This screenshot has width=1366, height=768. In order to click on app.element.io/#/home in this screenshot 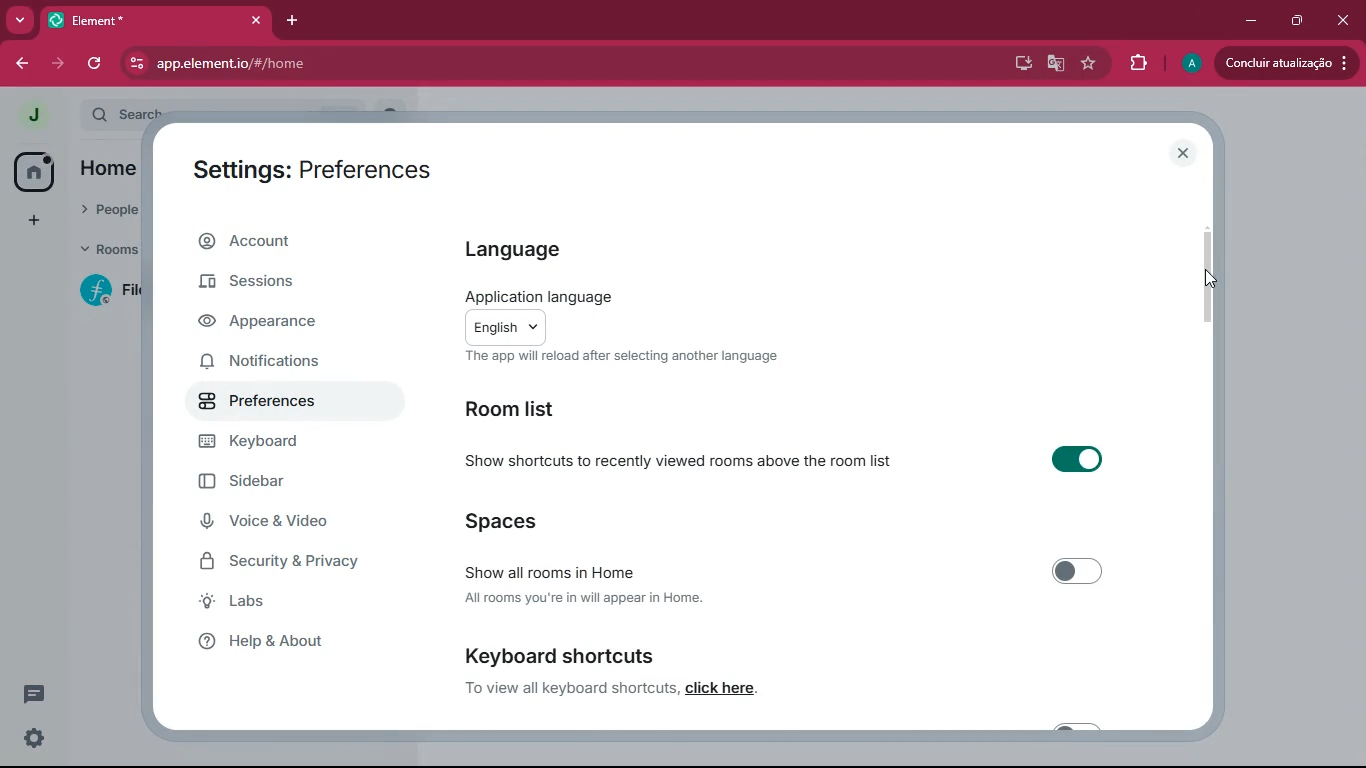, I will do `click(289, 63)`.